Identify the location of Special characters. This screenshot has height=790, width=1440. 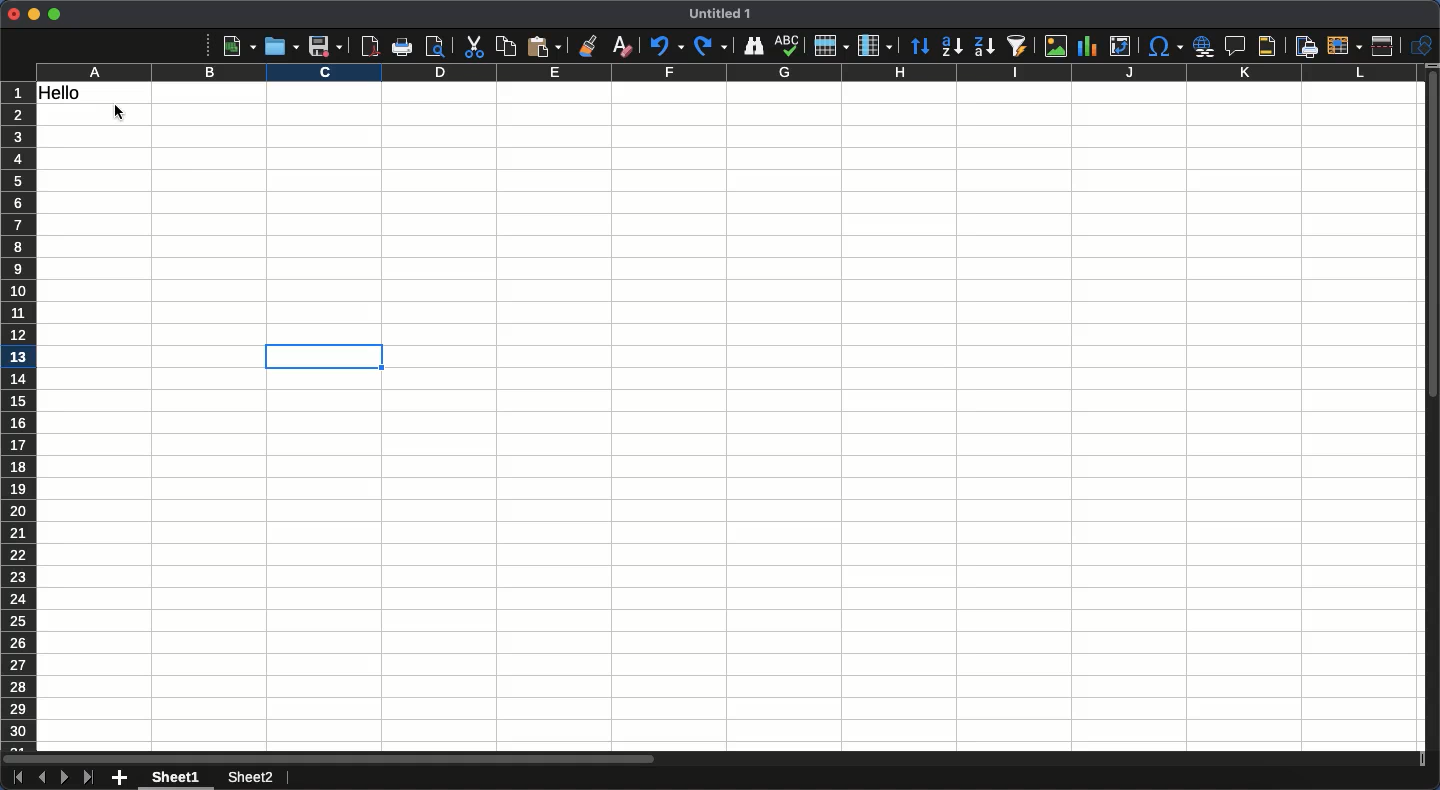
(1164, 46).